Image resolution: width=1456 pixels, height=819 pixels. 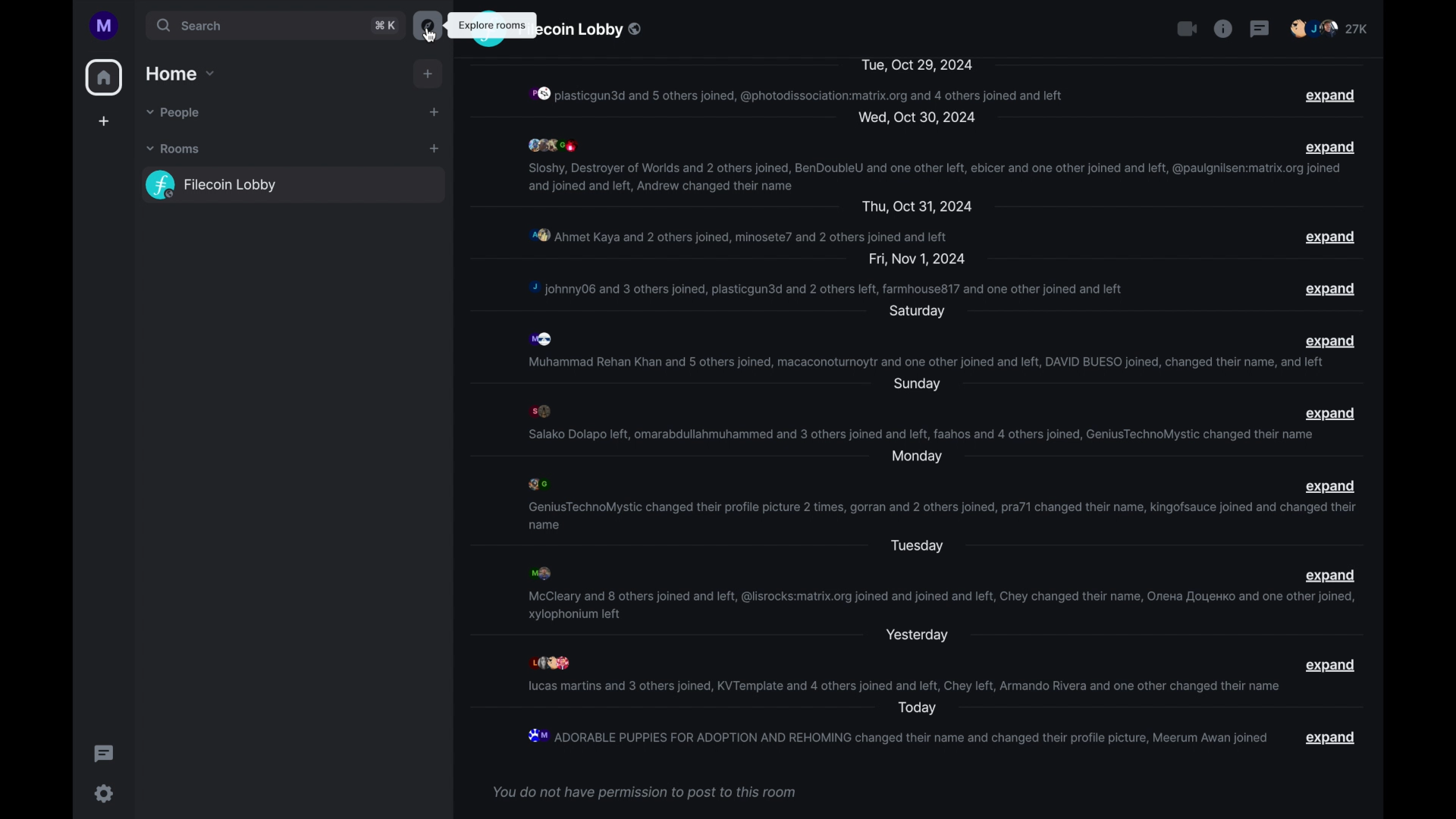 I want to click on cursor, so click(x=428, y=35).